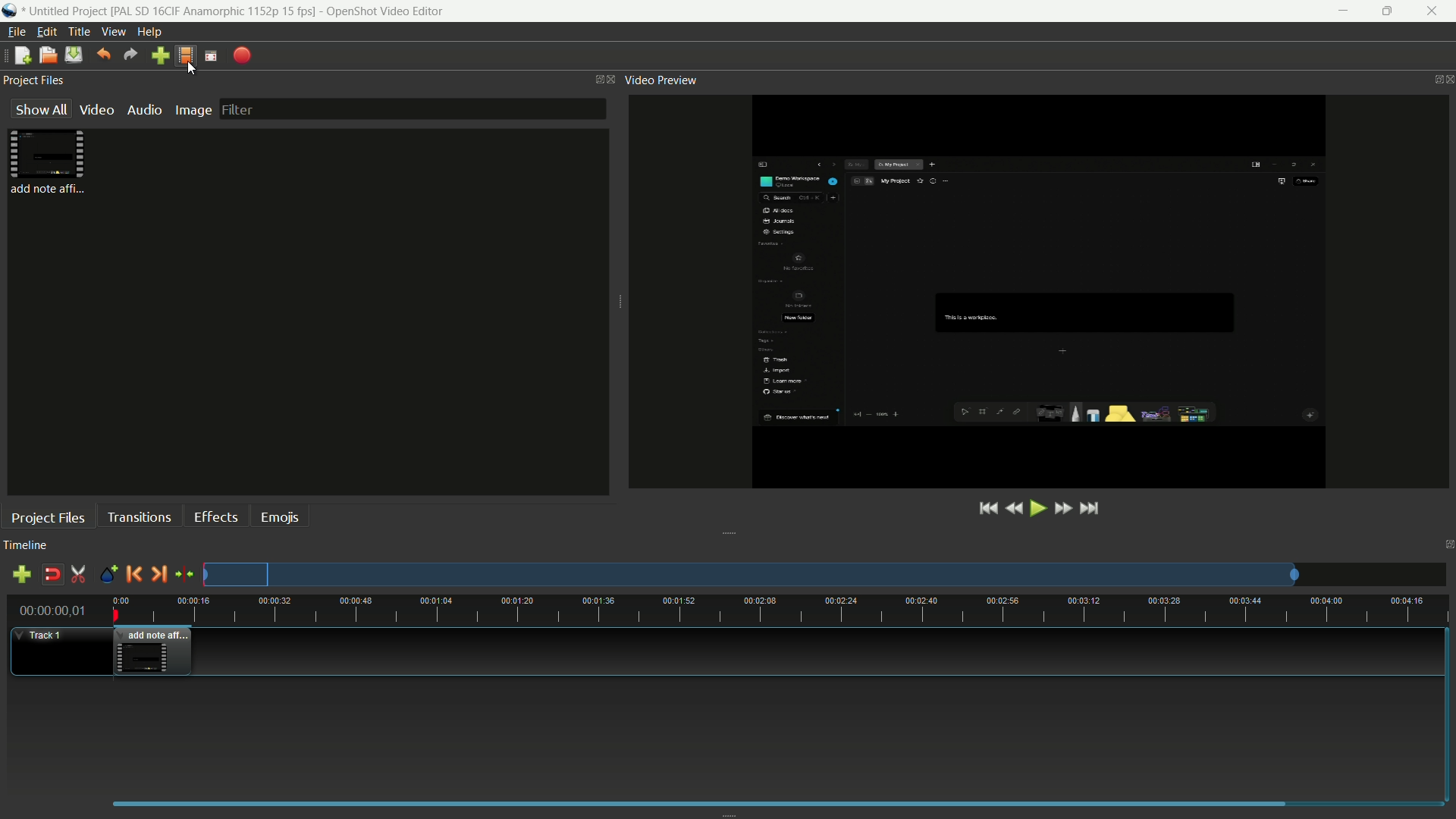 This screenshot has height=819, width=1456. I want to click on import file, so click(160, 55).